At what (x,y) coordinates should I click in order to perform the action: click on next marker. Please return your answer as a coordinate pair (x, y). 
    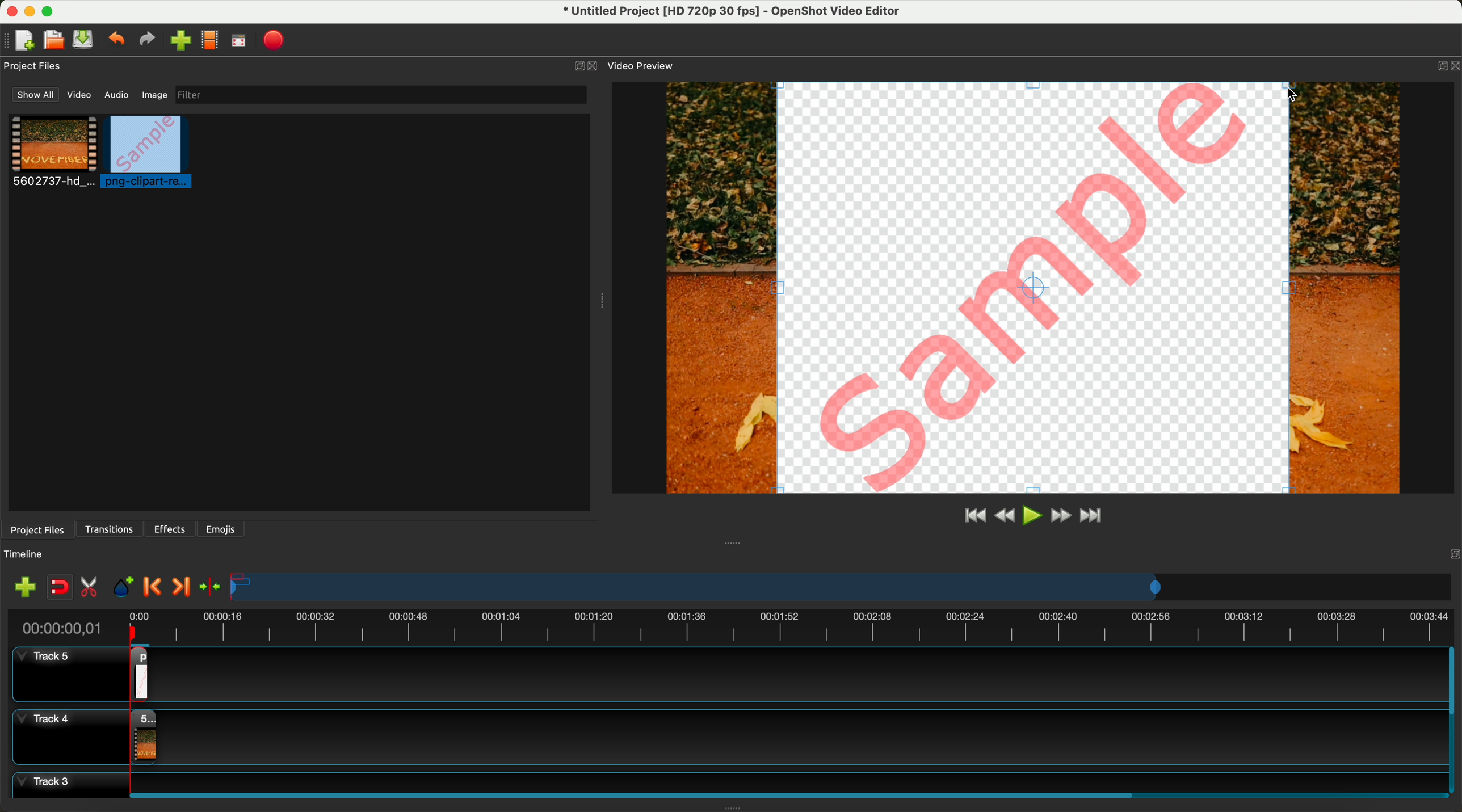
    Looking at the image, I should click on (180, 587).